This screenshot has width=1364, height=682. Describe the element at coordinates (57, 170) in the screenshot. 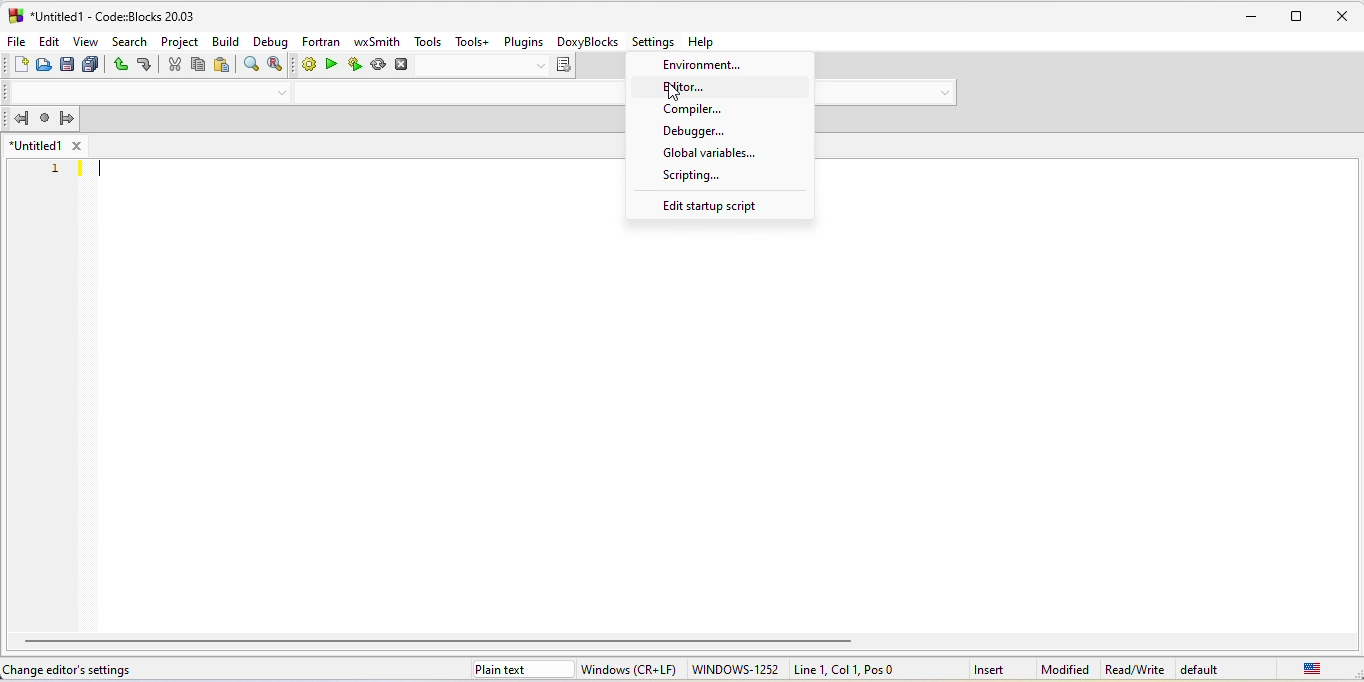

I see `1` at that location.